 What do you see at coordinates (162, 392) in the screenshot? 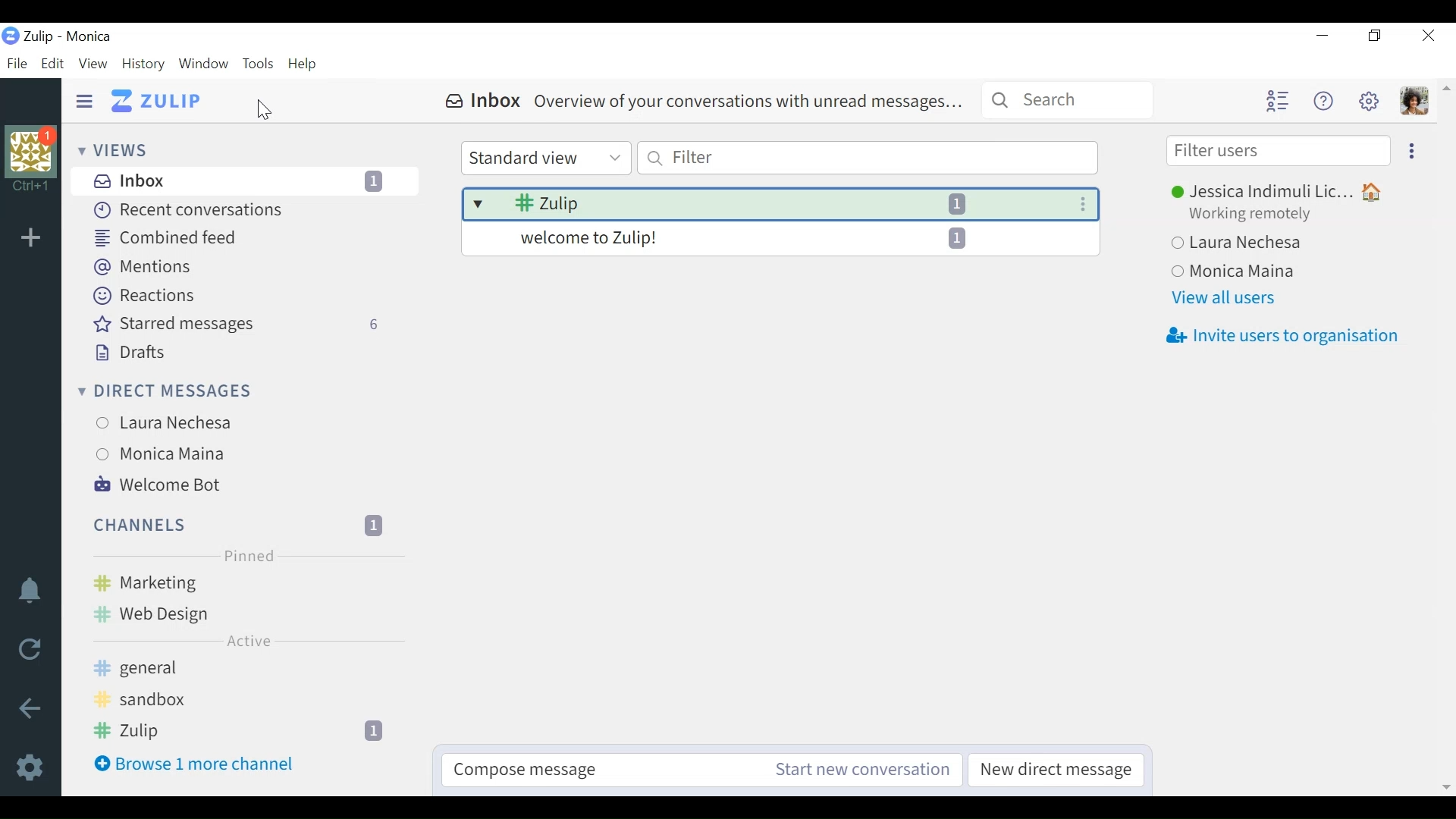
I see `Direct messages dropdown` at bounding box center [162, 392].